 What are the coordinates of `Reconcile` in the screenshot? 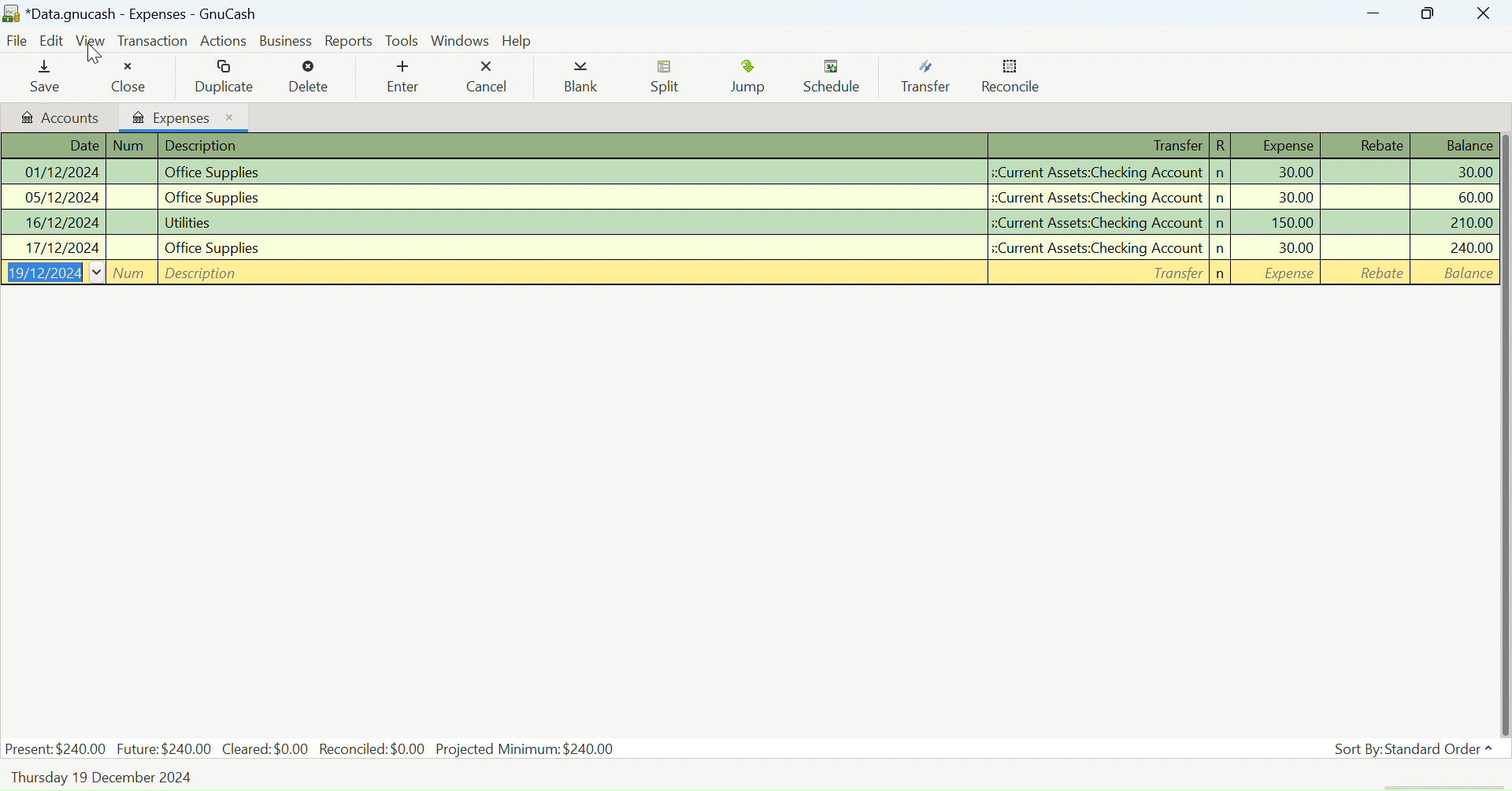 It's located at (1012, 80).